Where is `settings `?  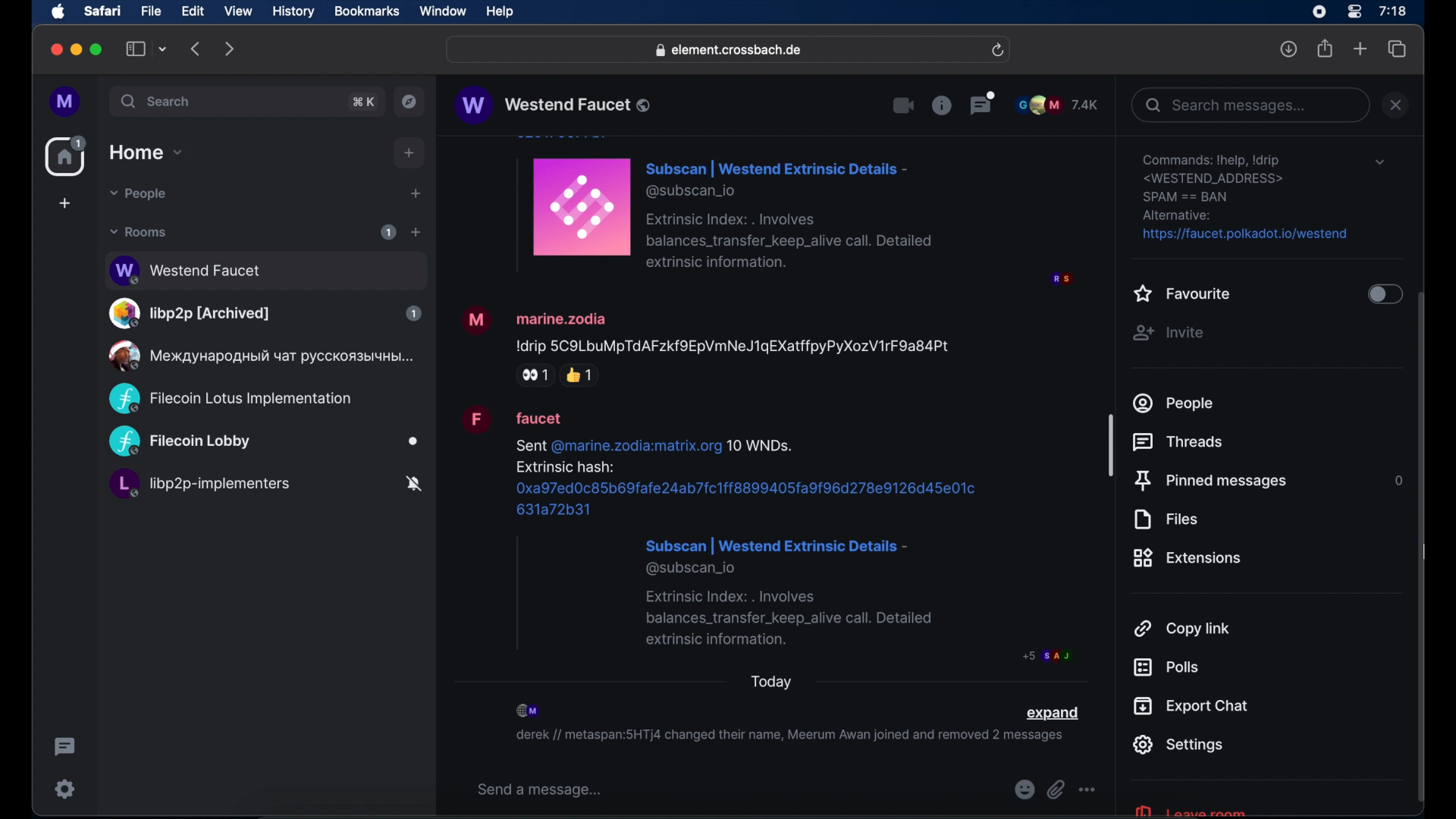 settings  is located at coordinates (1247, 198).